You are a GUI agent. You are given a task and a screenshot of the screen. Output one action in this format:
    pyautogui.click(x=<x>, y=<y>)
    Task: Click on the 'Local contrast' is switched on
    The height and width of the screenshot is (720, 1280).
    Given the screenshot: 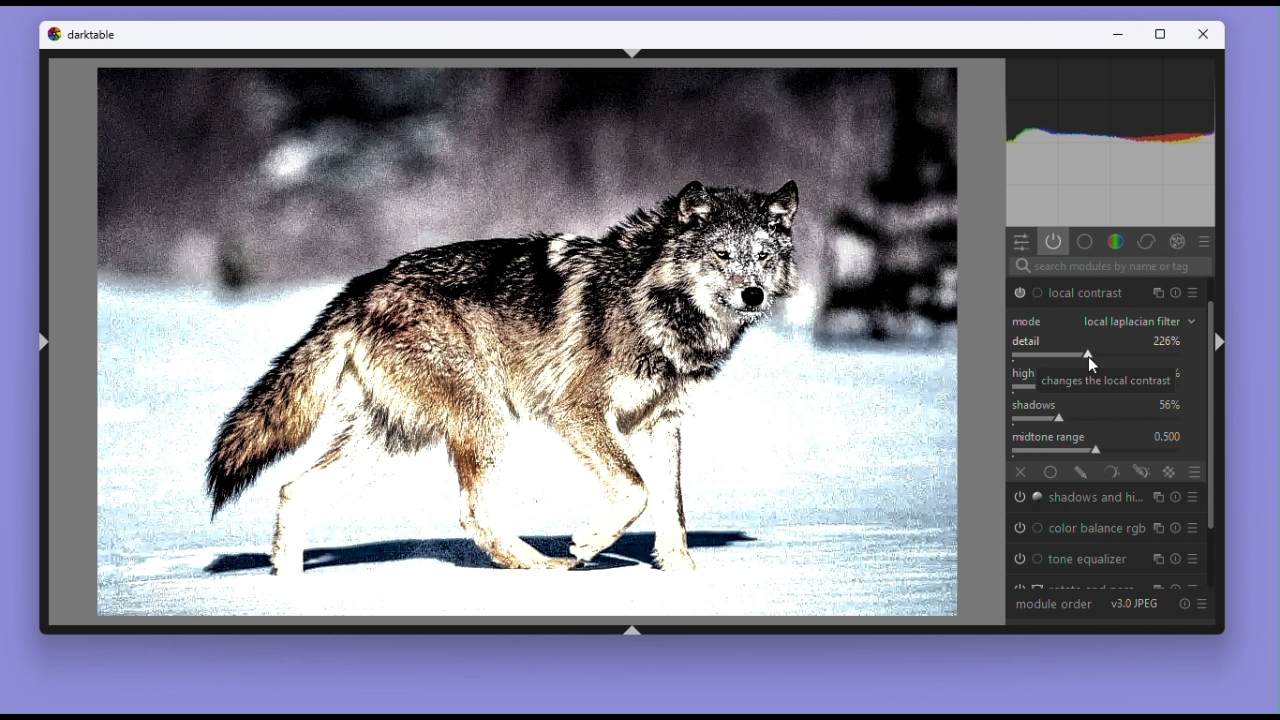 What is the action you would take?
    pyautogui.click(x=1026, y=292)
    